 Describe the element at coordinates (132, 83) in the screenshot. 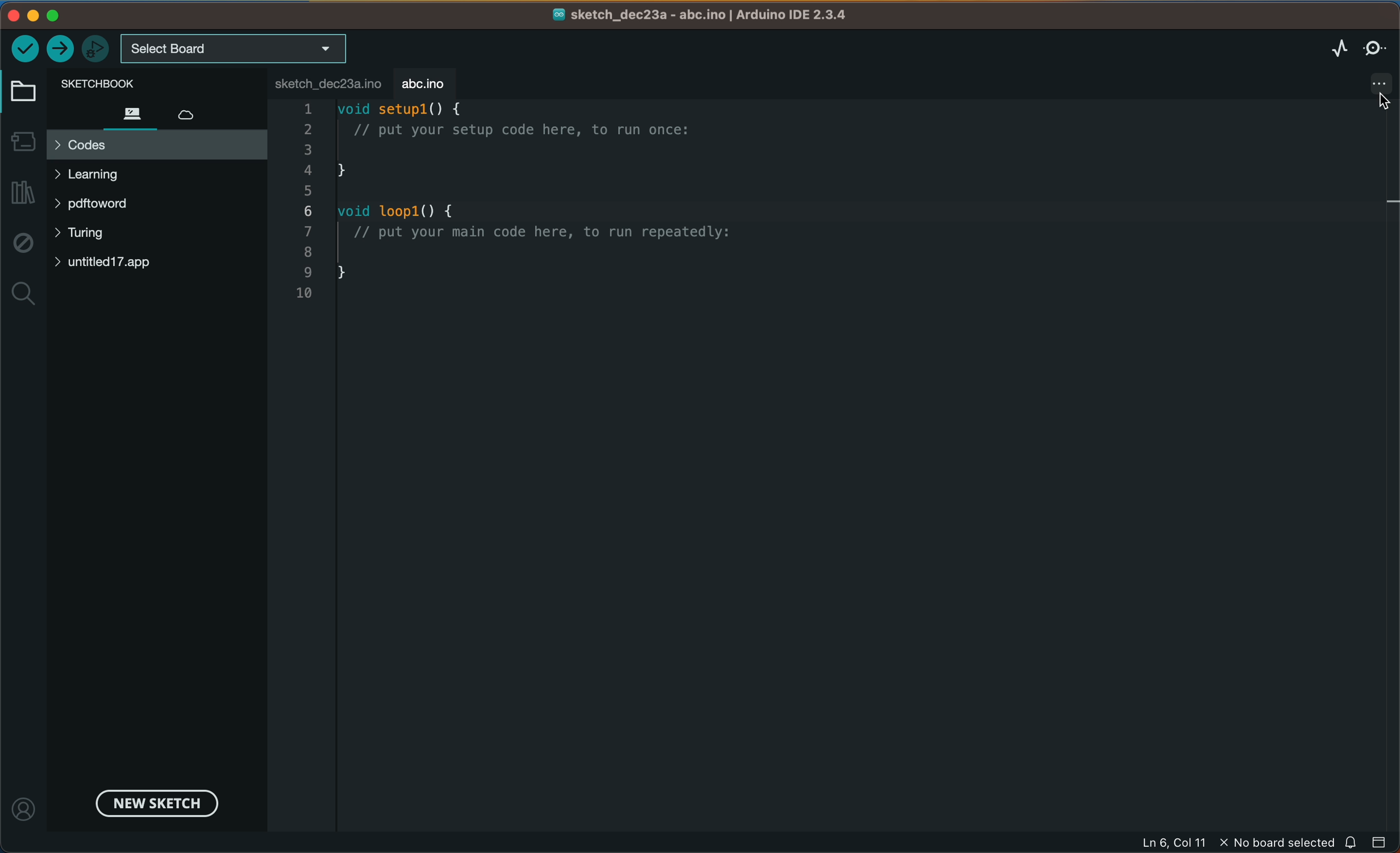

I see `sketch book` at that location.